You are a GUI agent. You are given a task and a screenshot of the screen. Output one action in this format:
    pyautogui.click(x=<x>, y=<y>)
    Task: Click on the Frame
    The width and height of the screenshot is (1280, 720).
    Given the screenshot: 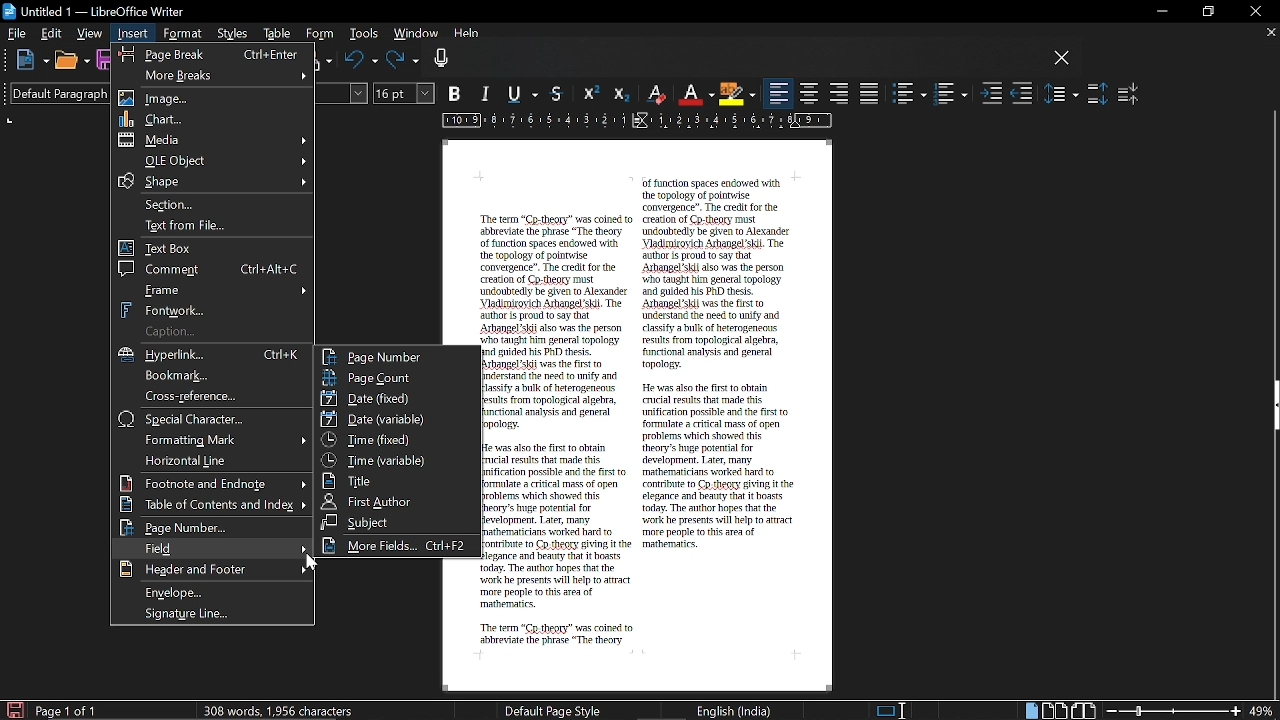 What is the action you would take?
    pyautogui.click(x=215, y=289)
    